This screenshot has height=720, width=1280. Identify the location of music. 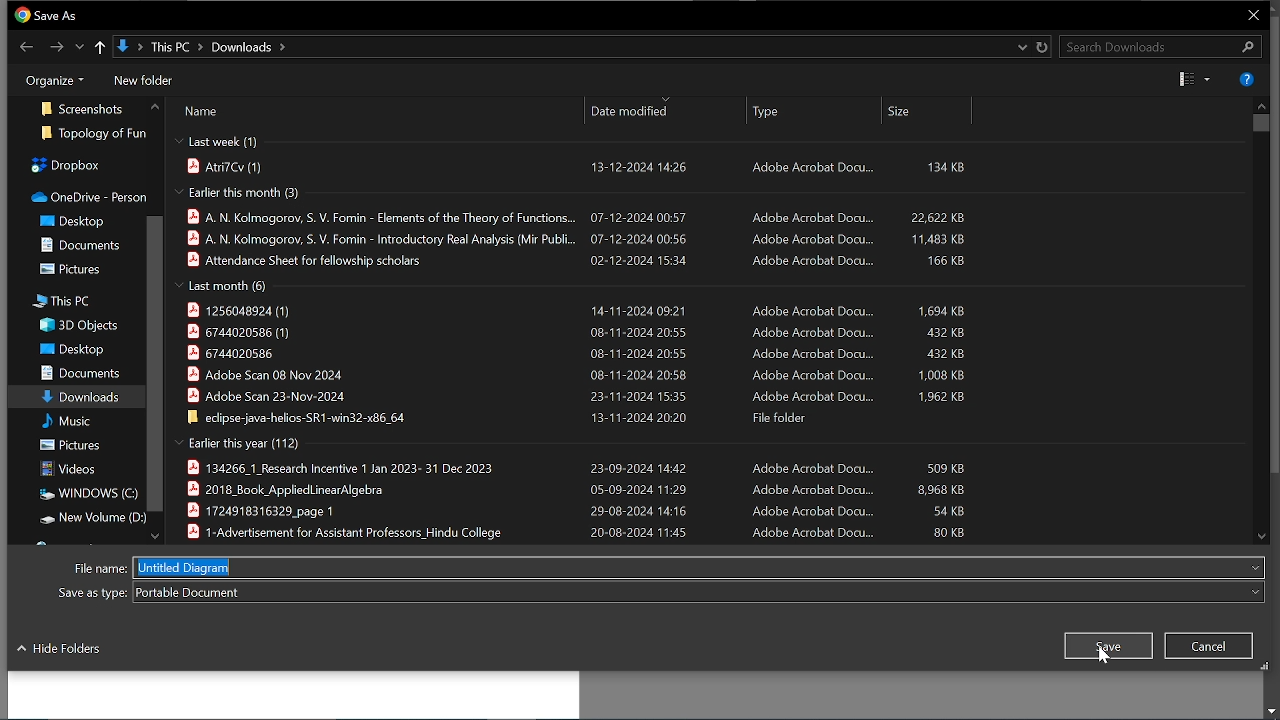
(66, 420).